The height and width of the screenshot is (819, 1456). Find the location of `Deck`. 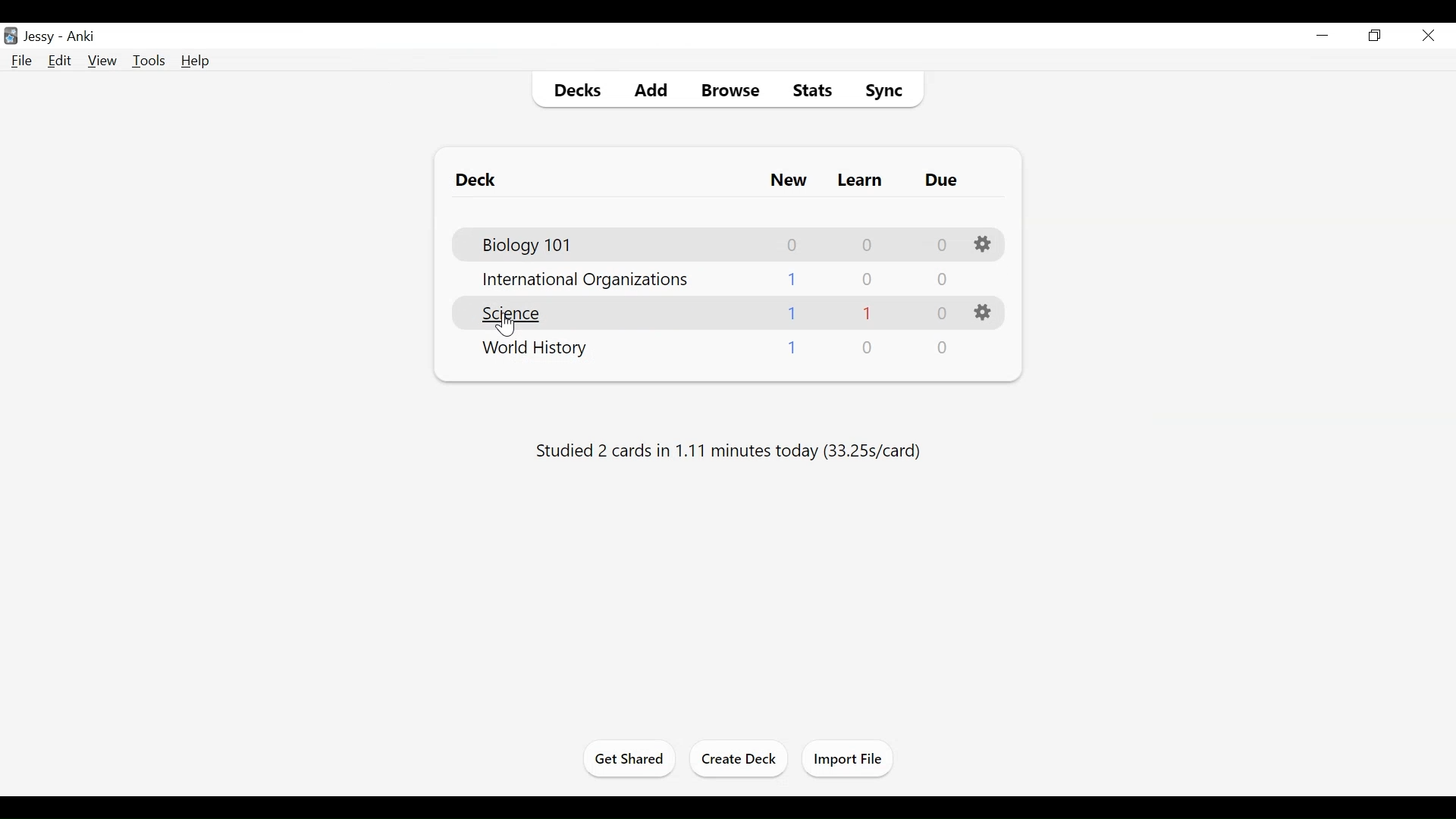

Deck is located at coordinates (481, 180).